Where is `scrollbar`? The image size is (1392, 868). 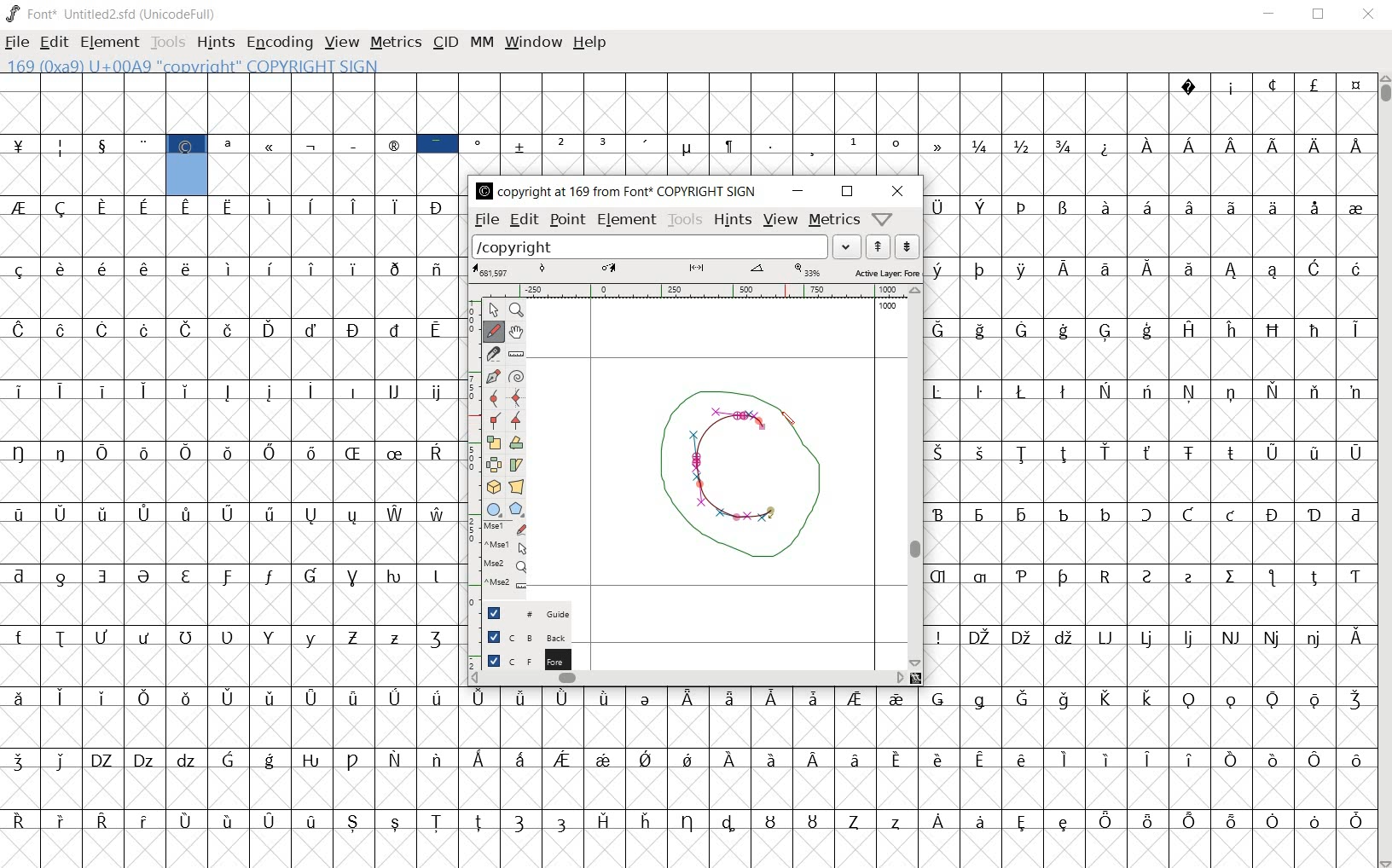
scrollbar is located at coordinates (687, 677).